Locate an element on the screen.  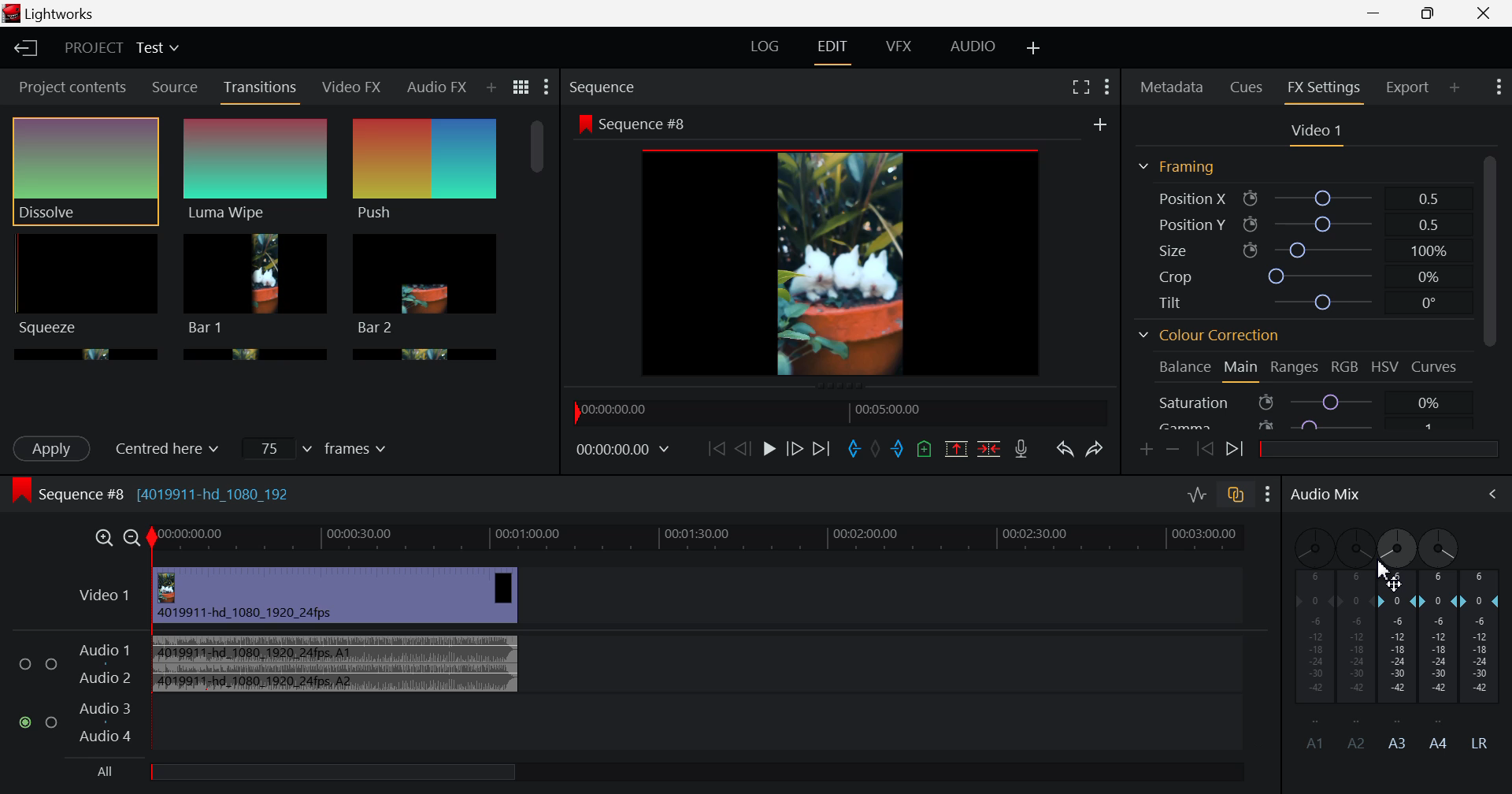
Crop is located at coordinates (1303, 275).